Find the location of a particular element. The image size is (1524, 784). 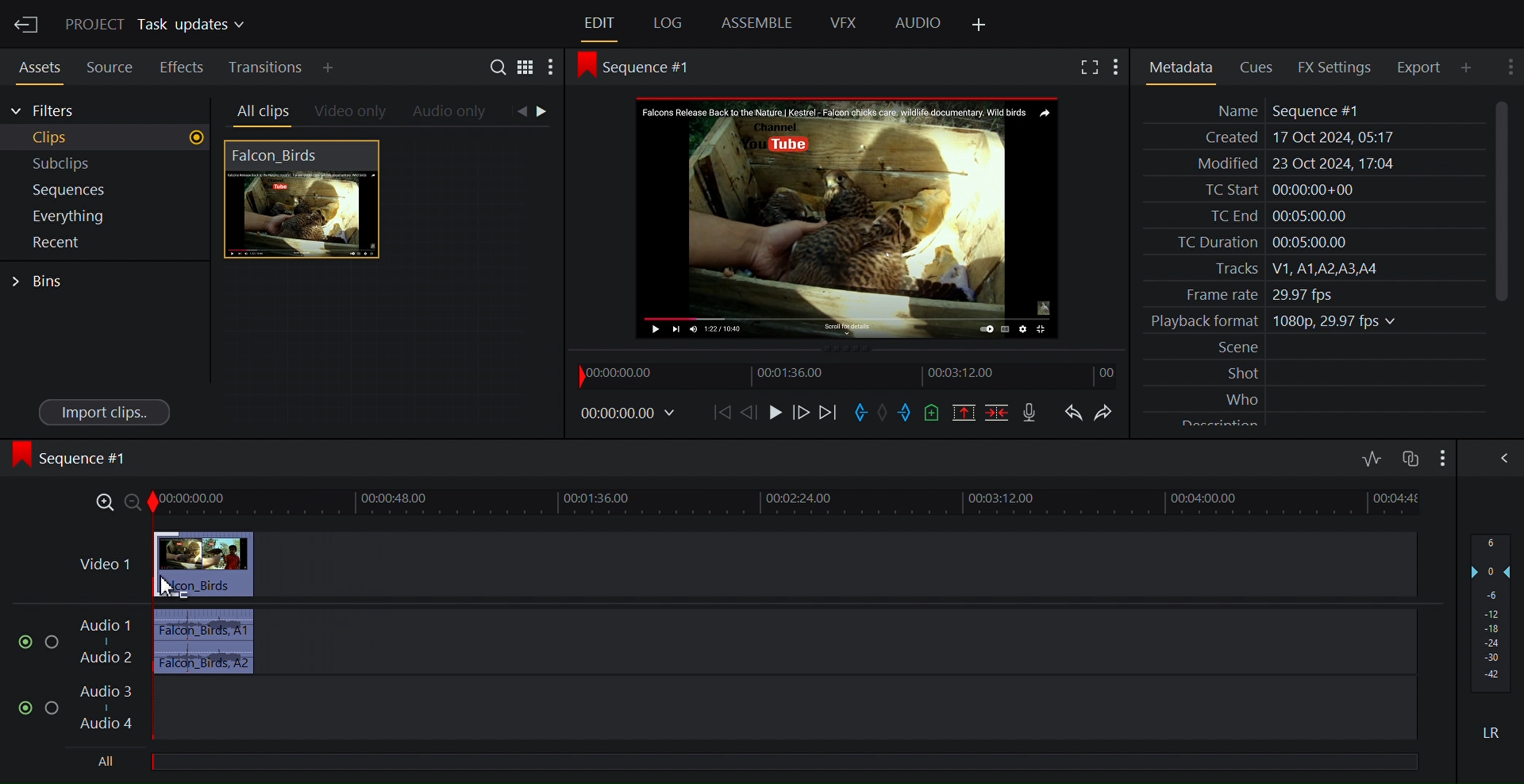

Edit is located at coordinates (601, 24).